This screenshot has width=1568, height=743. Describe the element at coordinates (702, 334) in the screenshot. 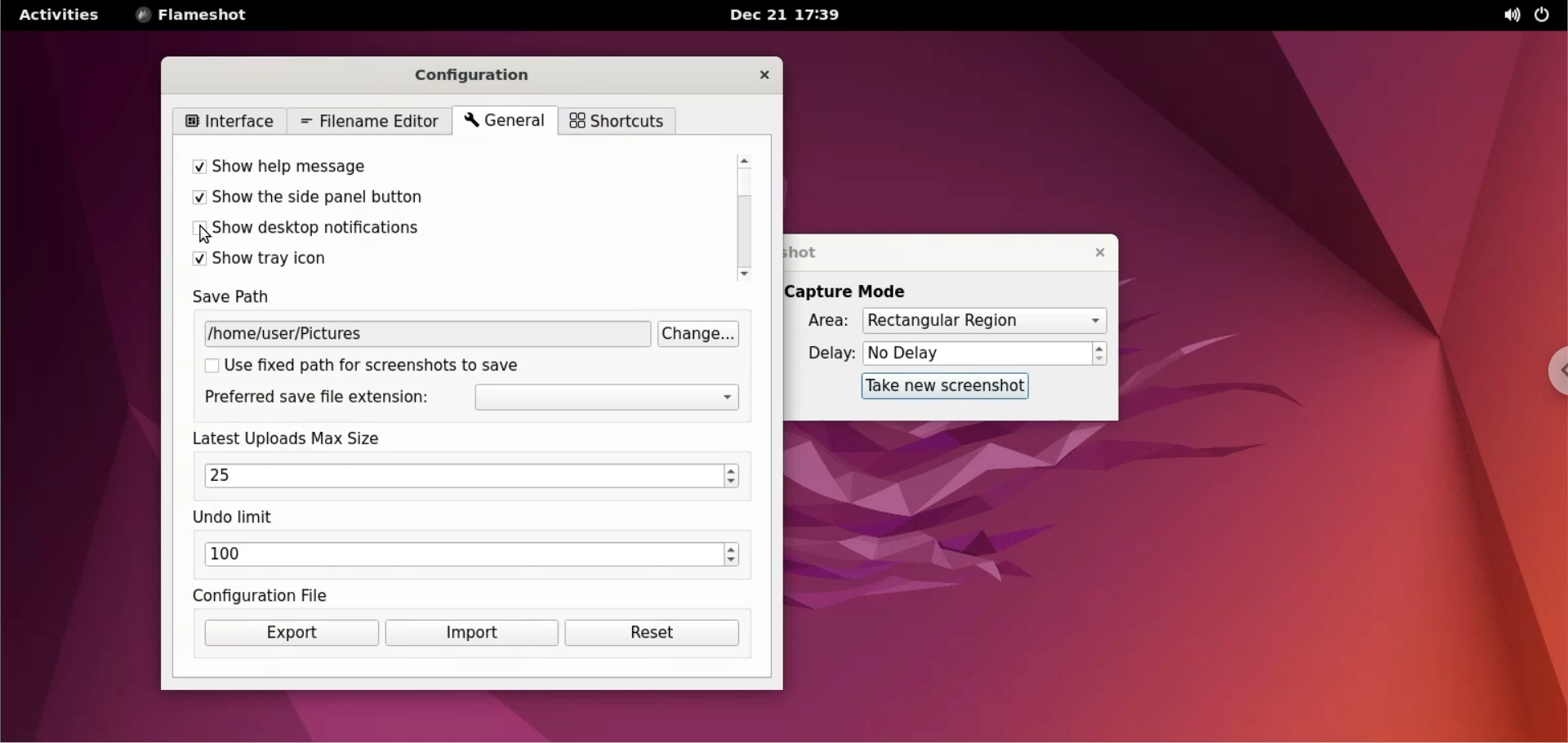

I see `change path` at that location.